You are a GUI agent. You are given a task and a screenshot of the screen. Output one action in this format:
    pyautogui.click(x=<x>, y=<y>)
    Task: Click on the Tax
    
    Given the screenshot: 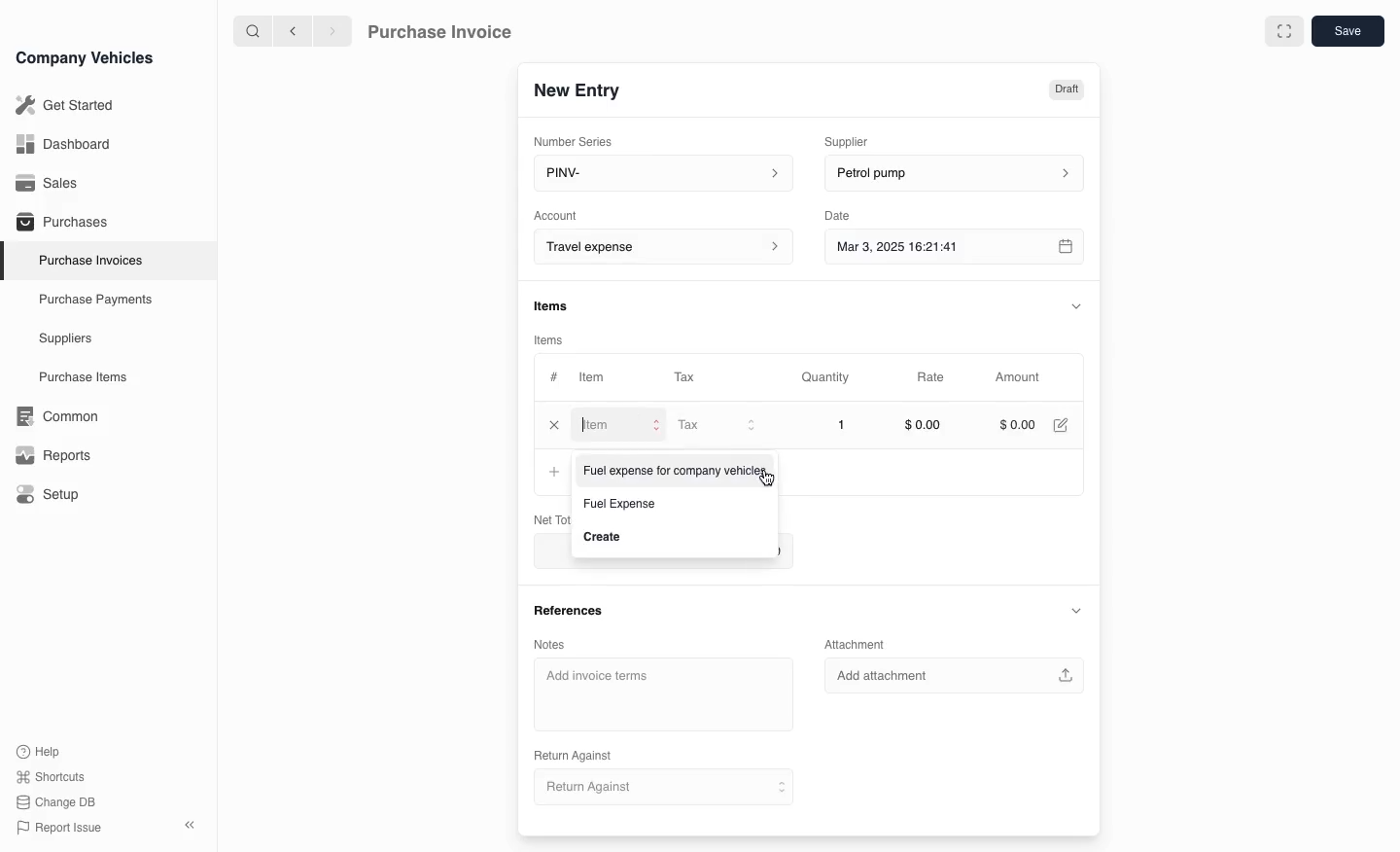 What is the action you would take?
    pyautogui.click(x=693, y=378)
    